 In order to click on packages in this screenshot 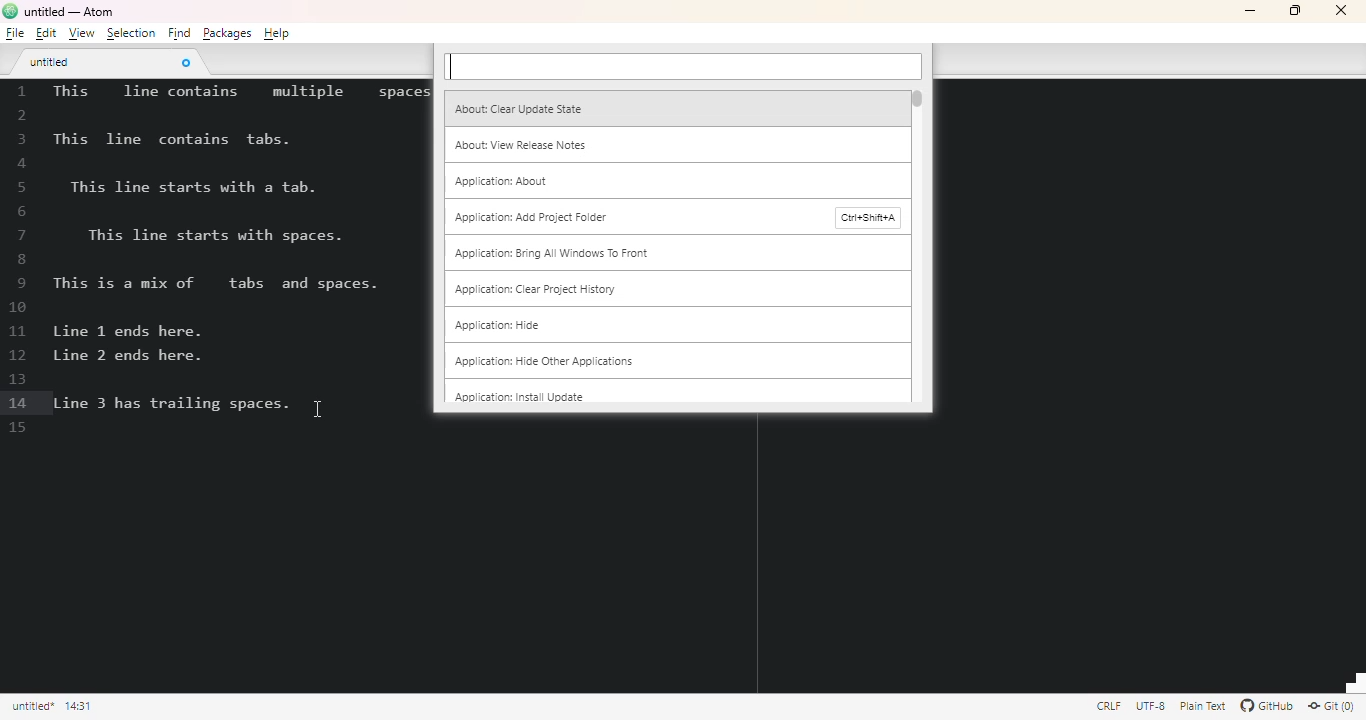, I will do `click(226, 33)`.